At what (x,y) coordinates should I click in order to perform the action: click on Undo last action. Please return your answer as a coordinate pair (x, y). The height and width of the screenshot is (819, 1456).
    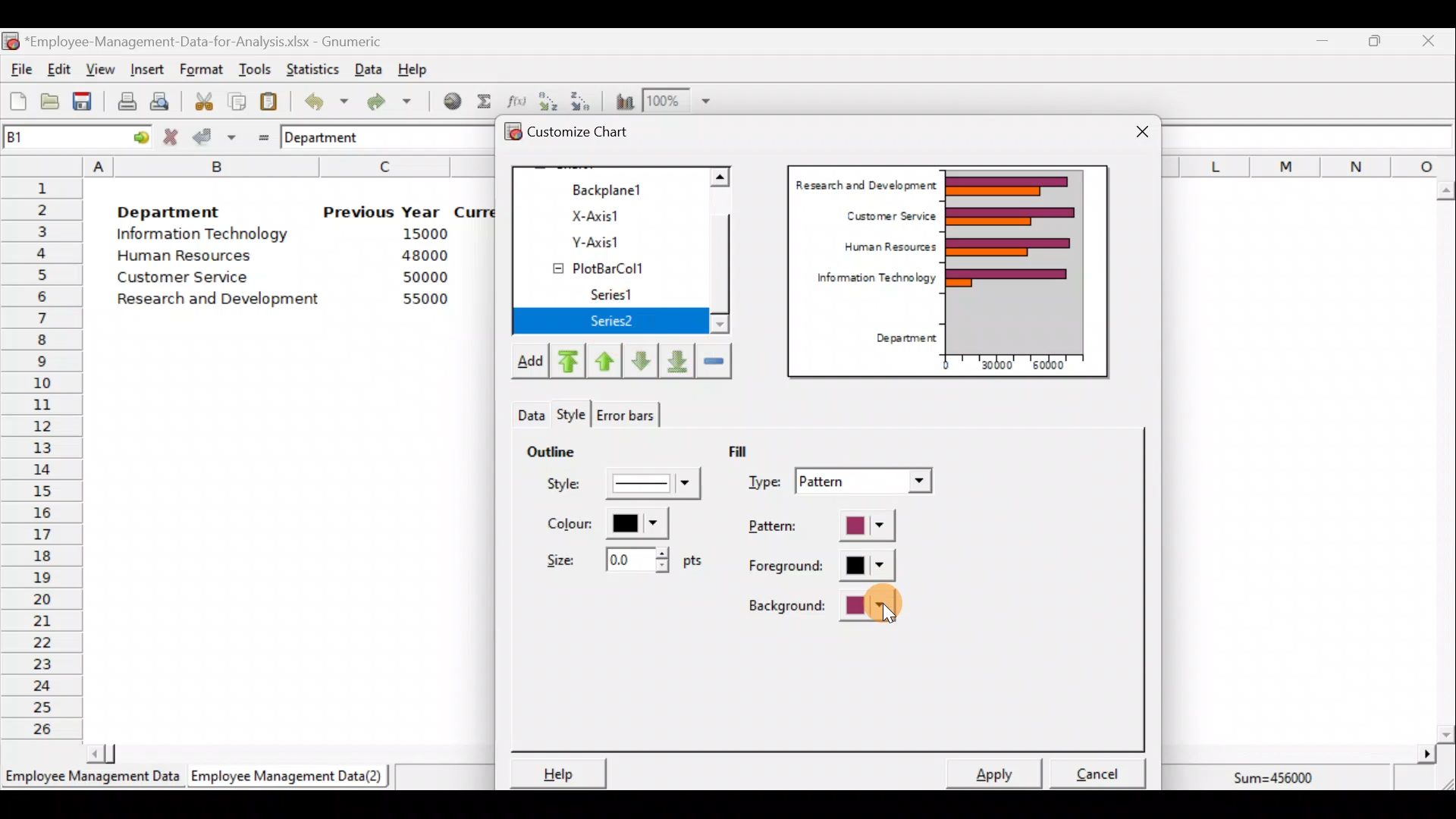
    Looking at the image, I should click on (318, 98).